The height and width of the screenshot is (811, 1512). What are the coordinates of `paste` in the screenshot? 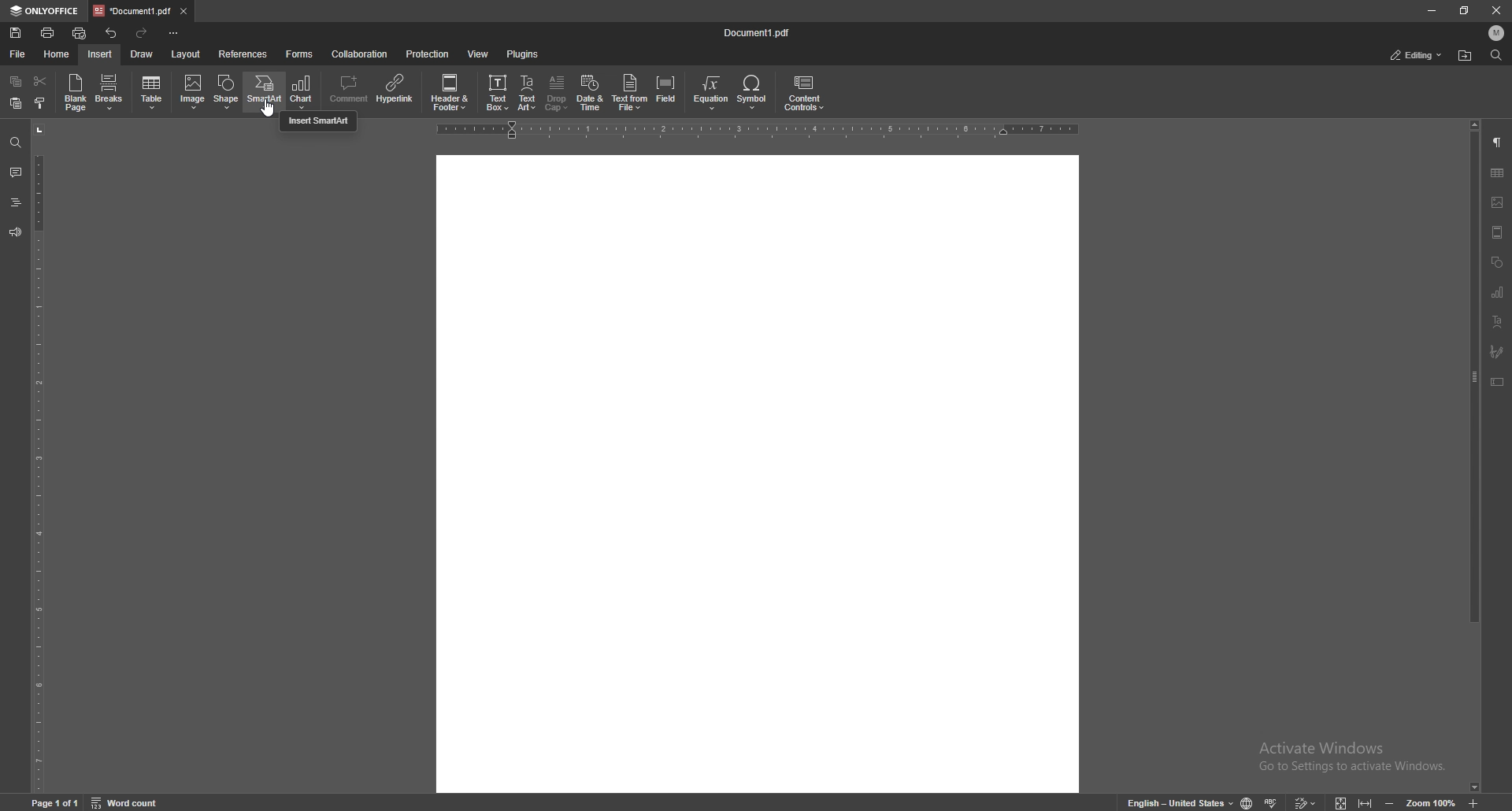 It's located at (16, 102).